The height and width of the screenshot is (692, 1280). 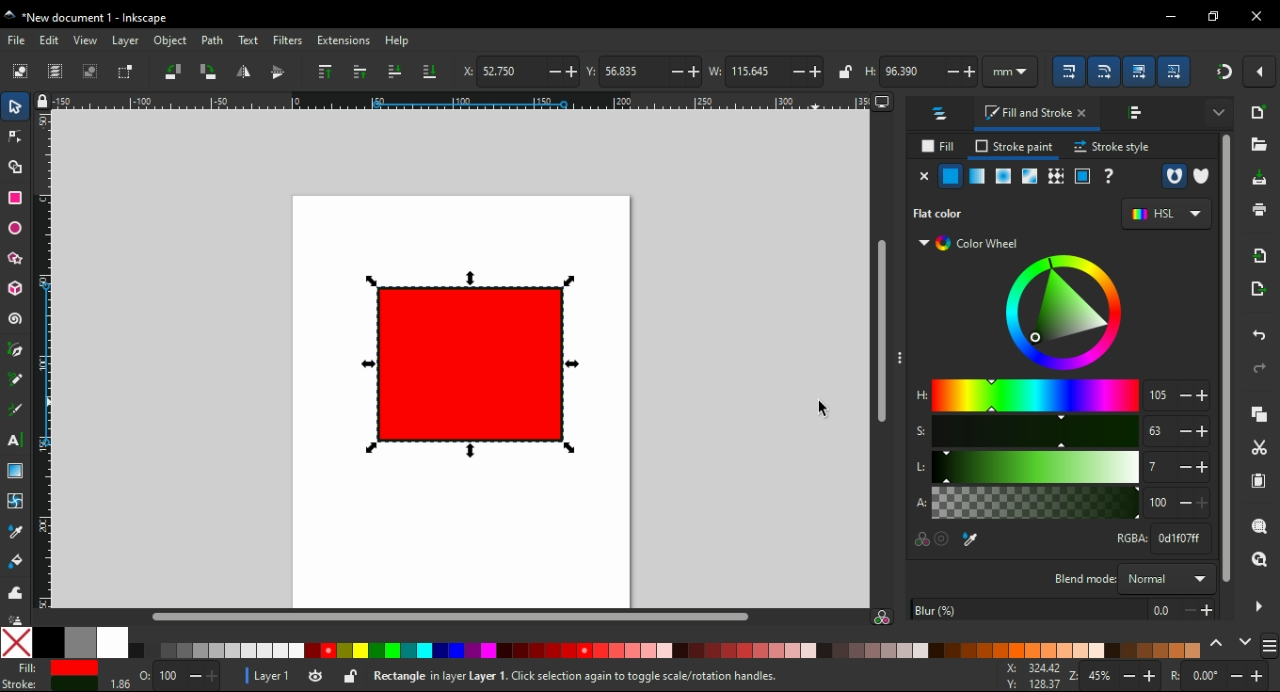 I want to click on out of gamut!, so click(x=945, y=540).